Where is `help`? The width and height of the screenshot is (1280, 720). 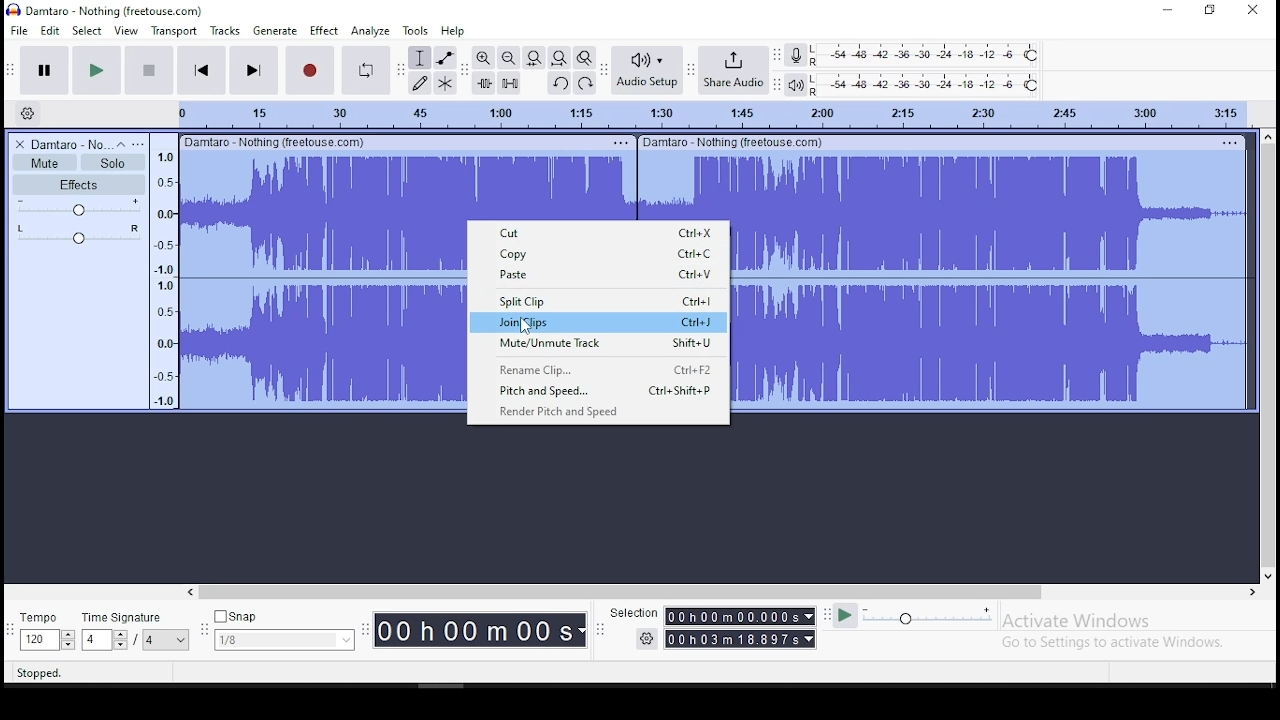
help is located at coordinates (453, 30).